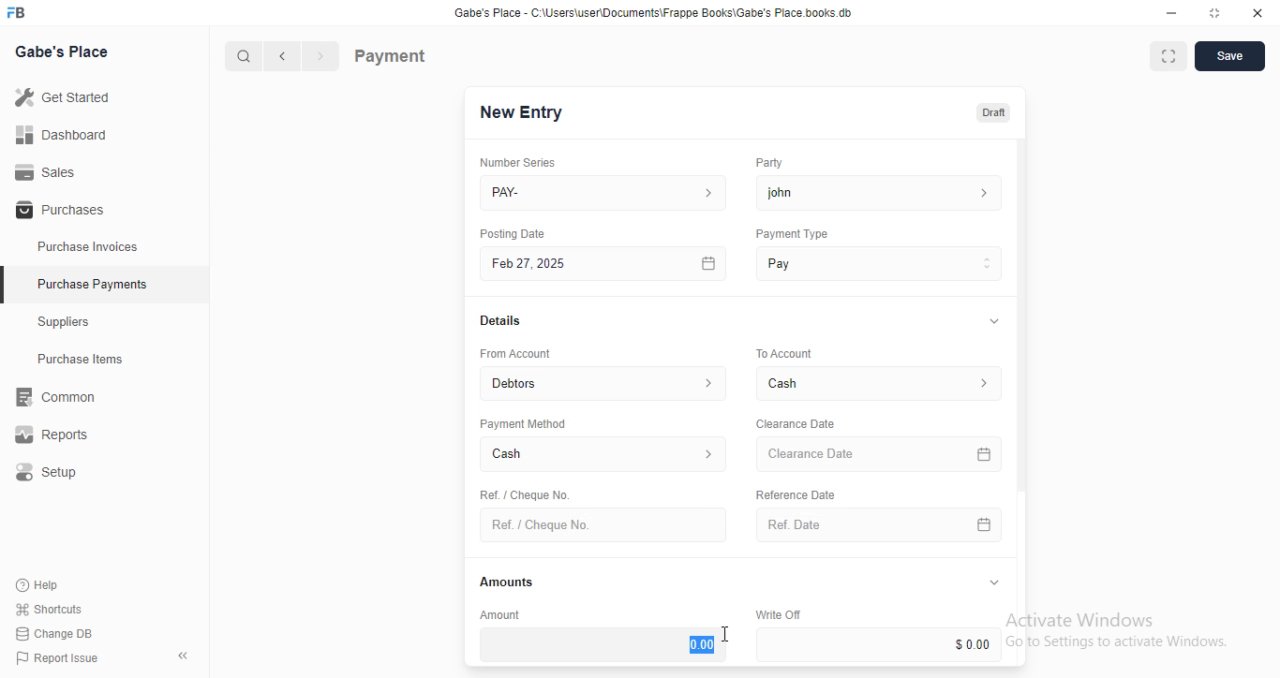  Describe the element at coordinates (61, 473) in the screenshot. I see `Setup` at that location.